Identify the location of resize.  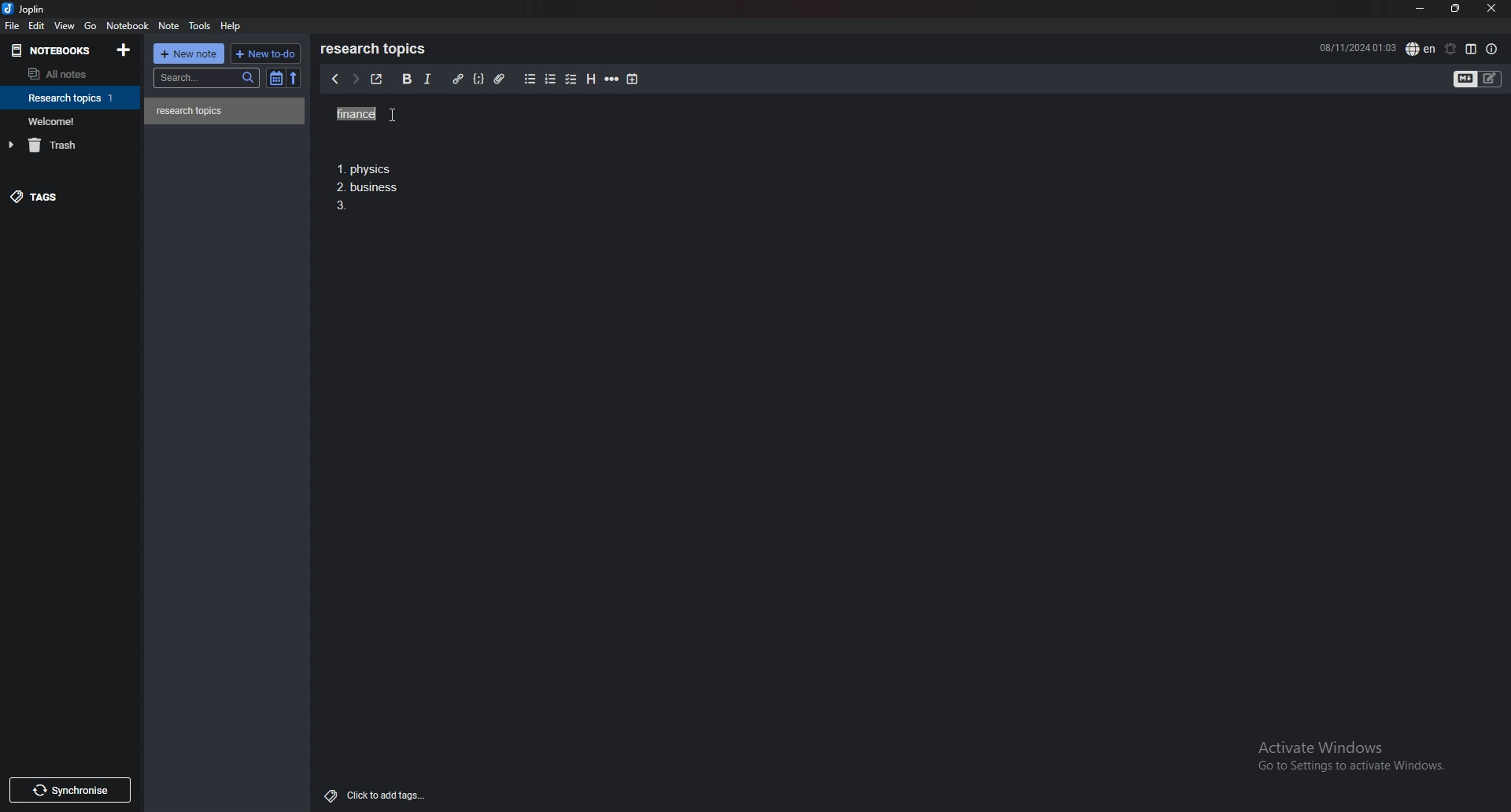
(1454, 8).